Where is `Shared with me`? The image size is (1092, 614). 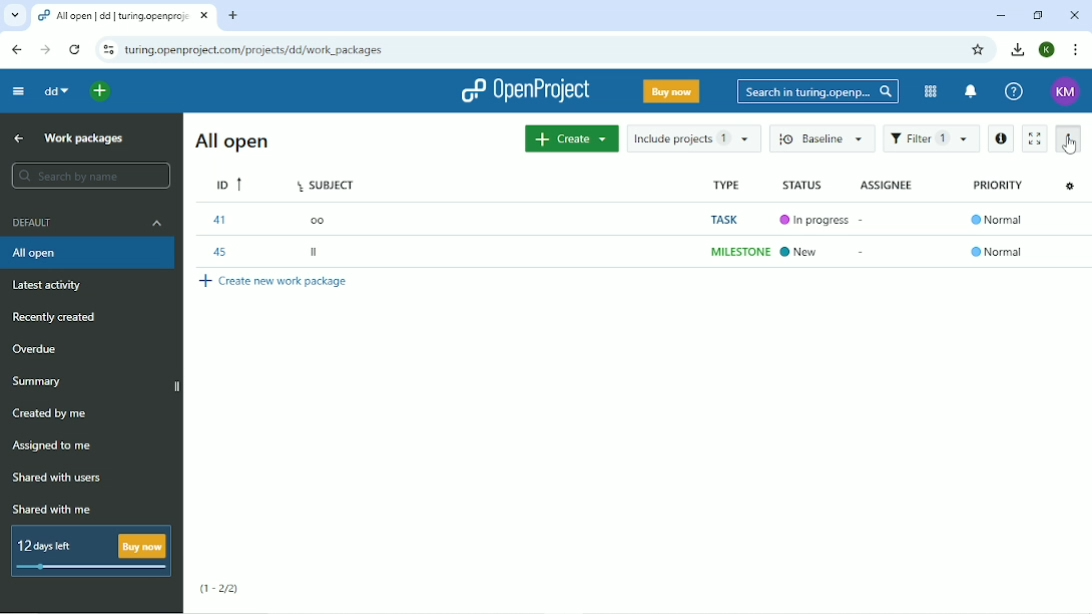
Shared with me is located at coordinates (54, 510).